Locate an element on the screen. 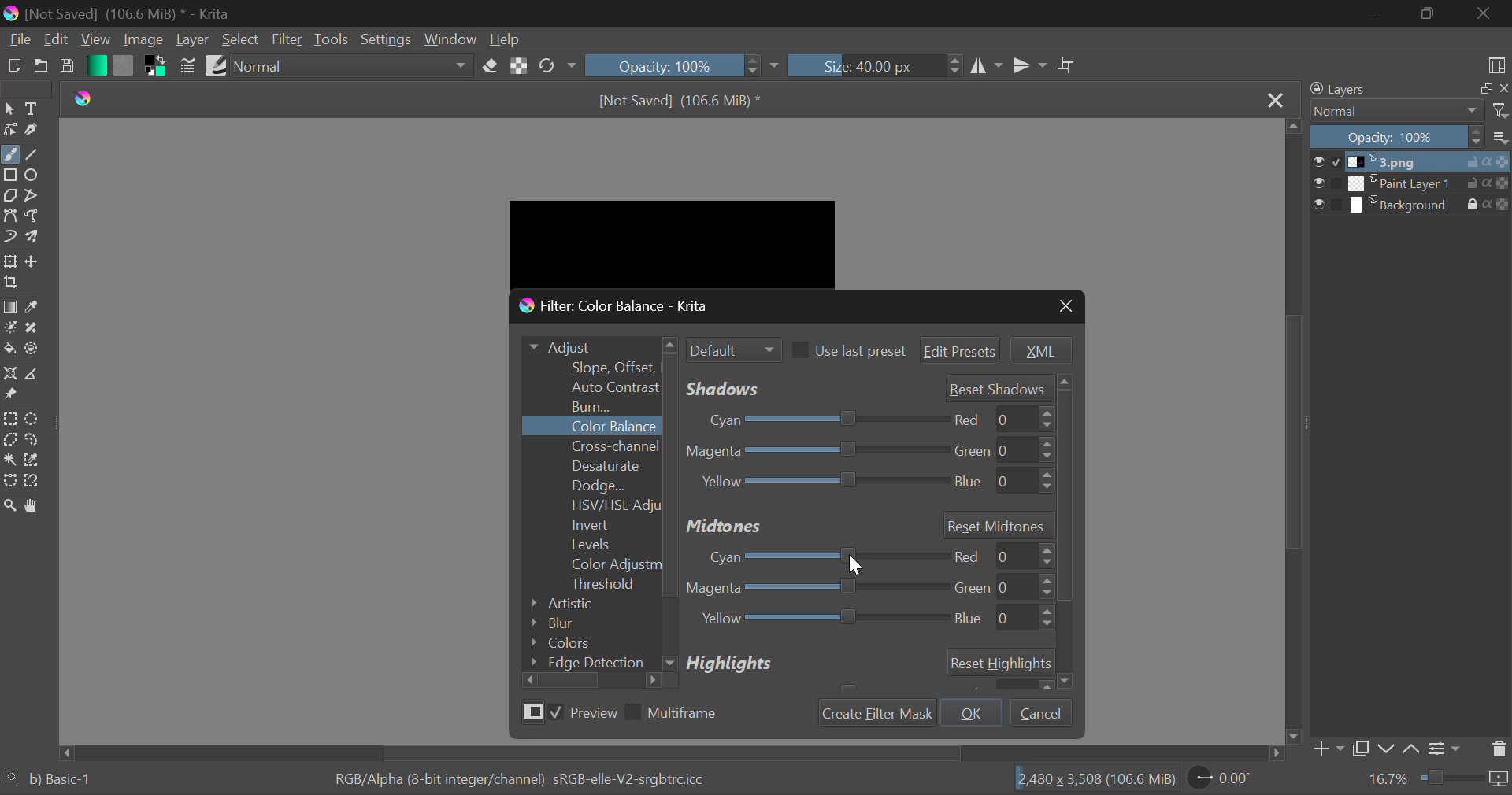 The image size is (1512, 795). Color Balance is located at coordinates (594, 427).